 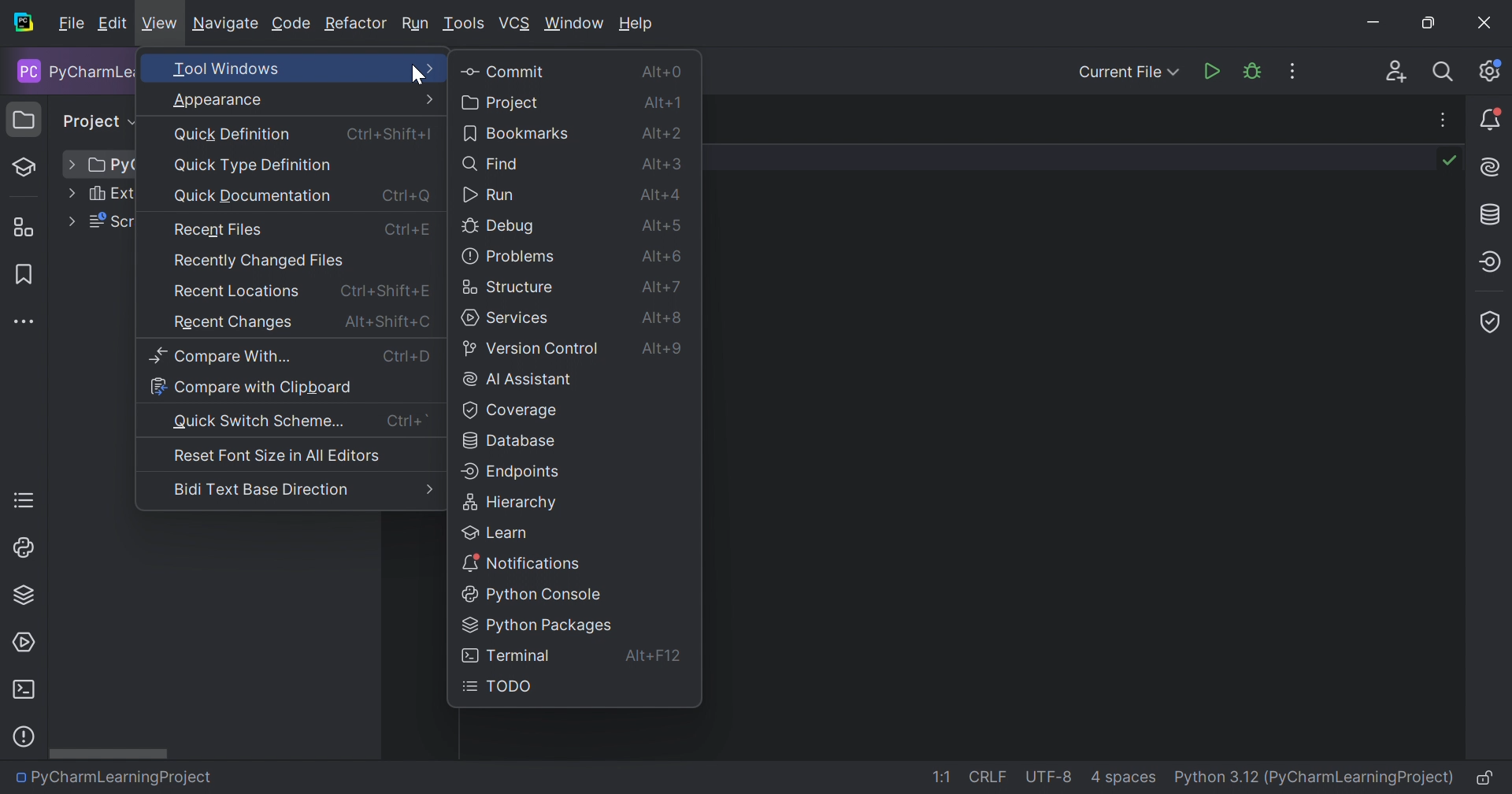 What do you see at coordinates (532, 347) in the screenshot?
I see `Version Control` at bounding box center [532, 347].